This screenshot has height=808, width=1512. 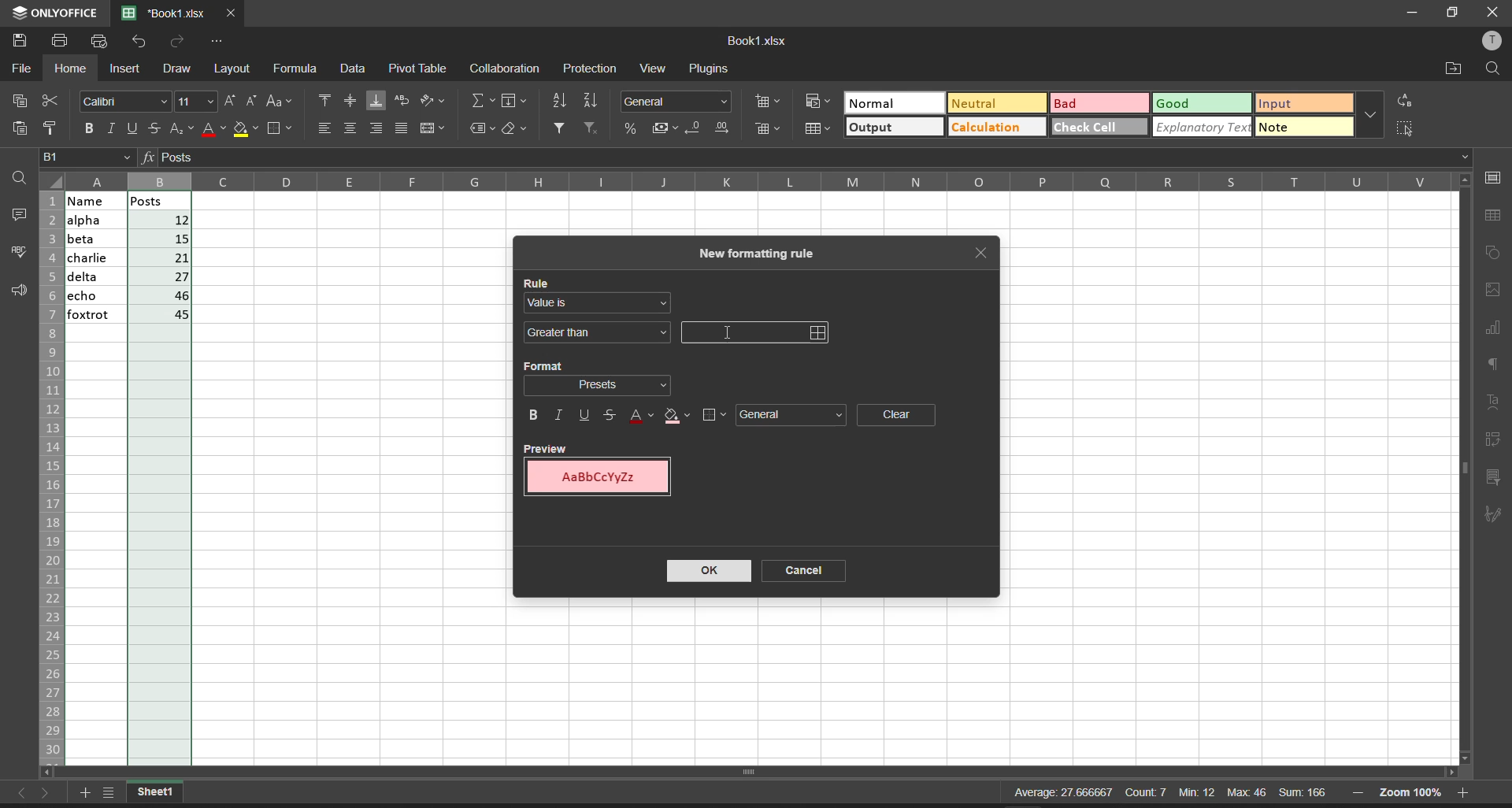 What do you see at coordinates (1417, 792) in the screenshot?
I see `zoom 100%` at bounding box center [1417, 792].